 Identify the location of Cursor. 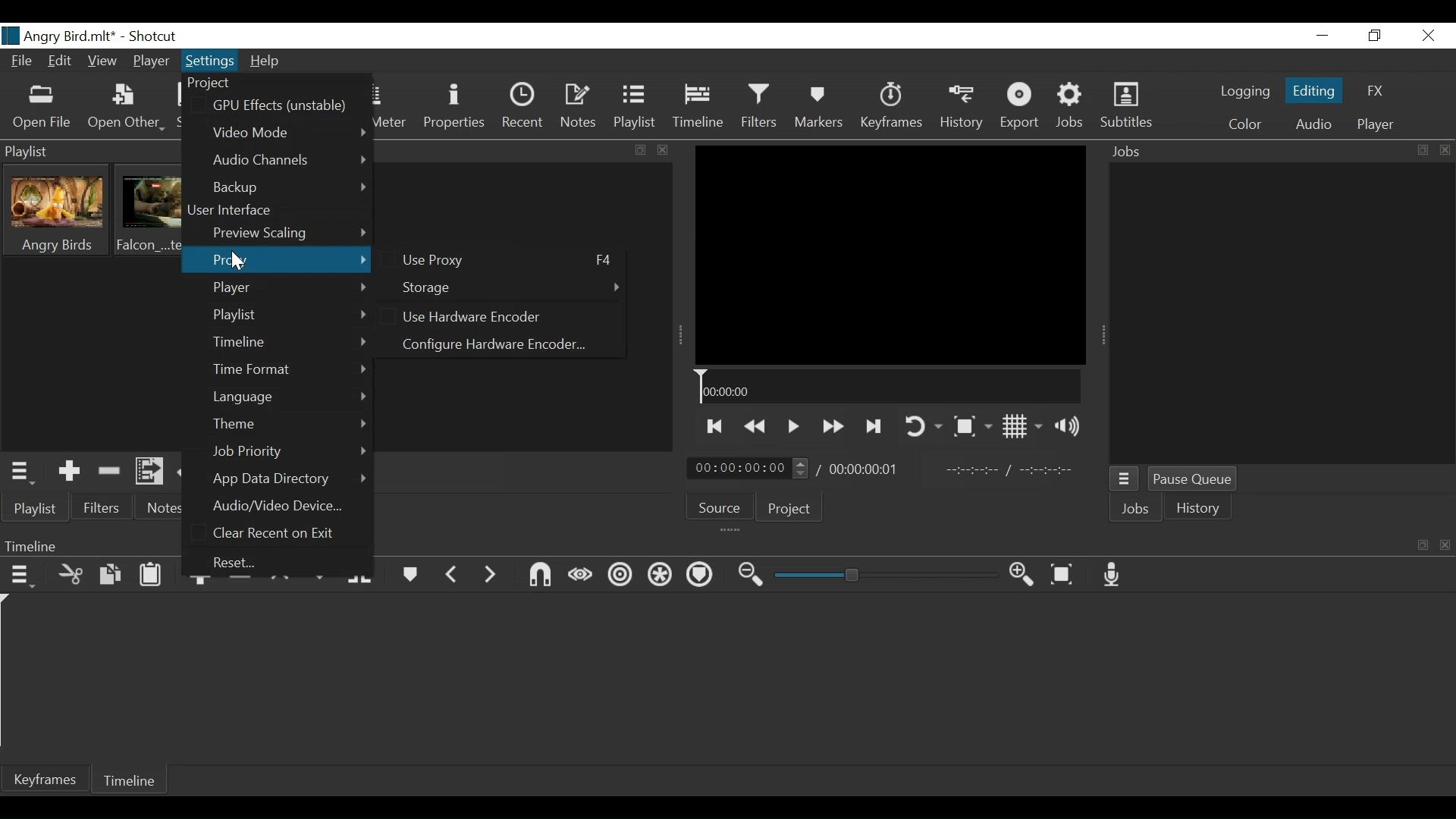
(235, 261).